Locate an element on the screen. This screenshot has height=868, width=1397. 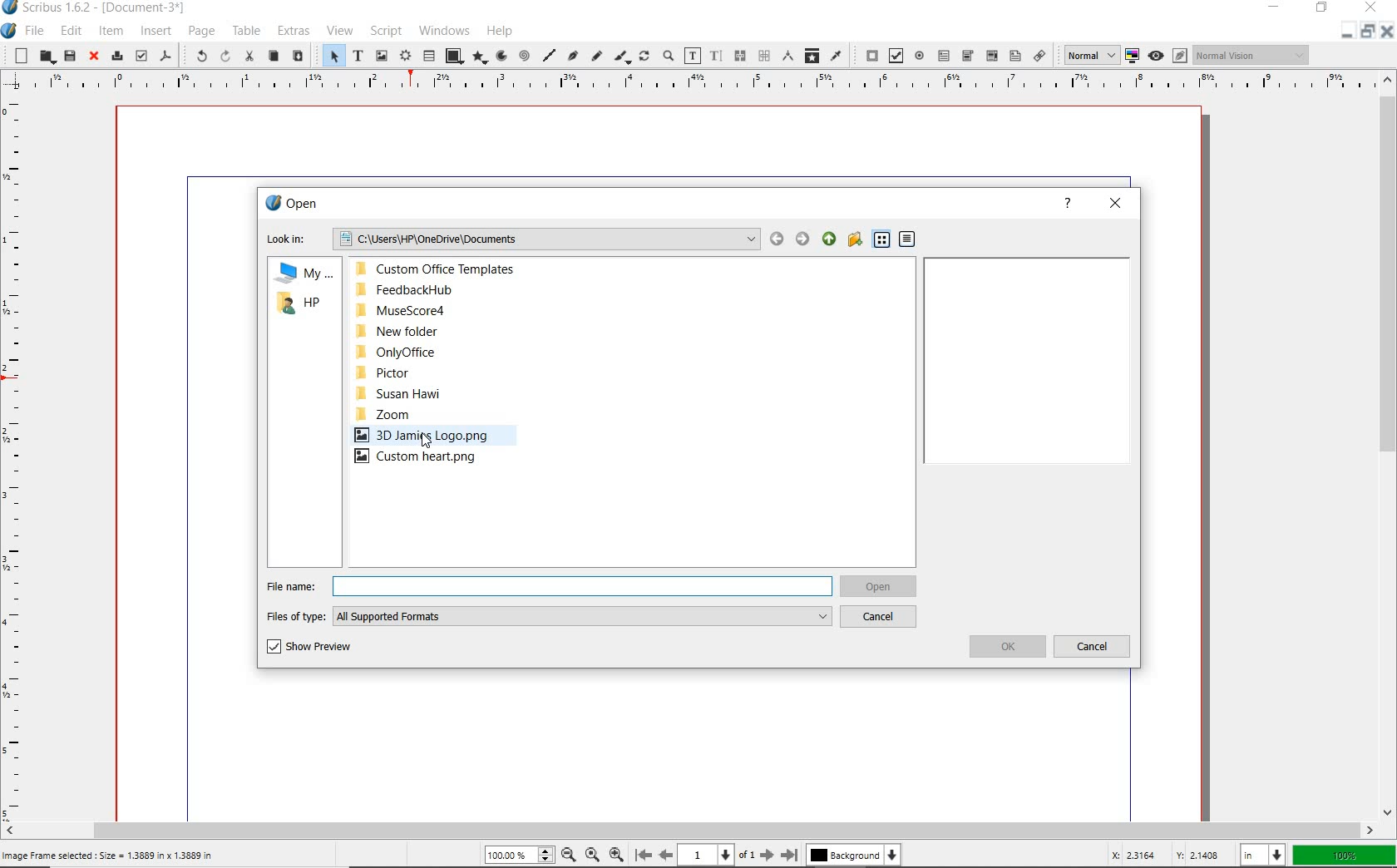
current page is located at coordinates (717, 856).